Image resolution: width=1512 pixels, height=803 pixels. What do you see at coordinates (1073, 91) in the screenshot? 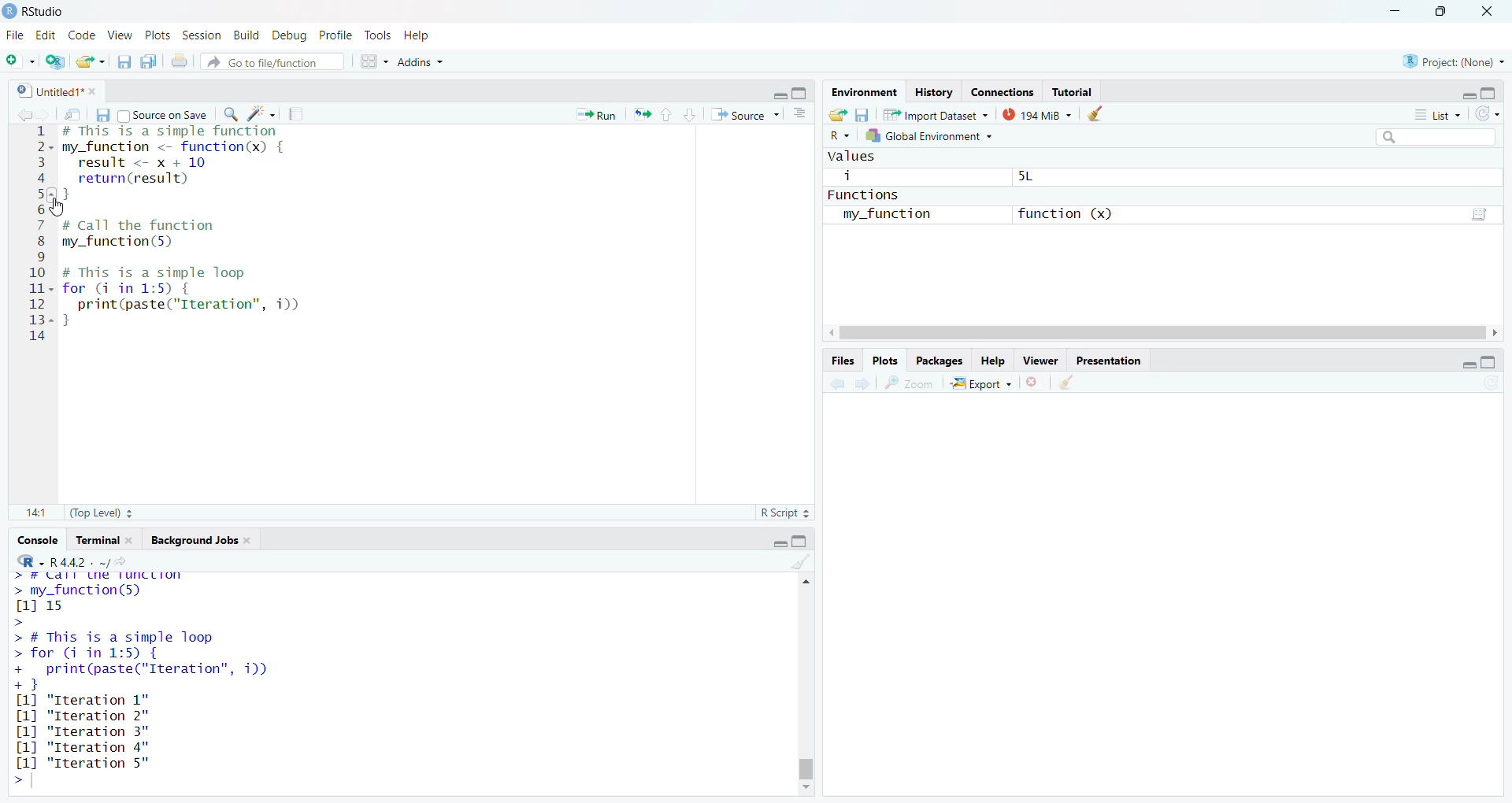
I see `Tutorial` at bounding box center [1073, 91].